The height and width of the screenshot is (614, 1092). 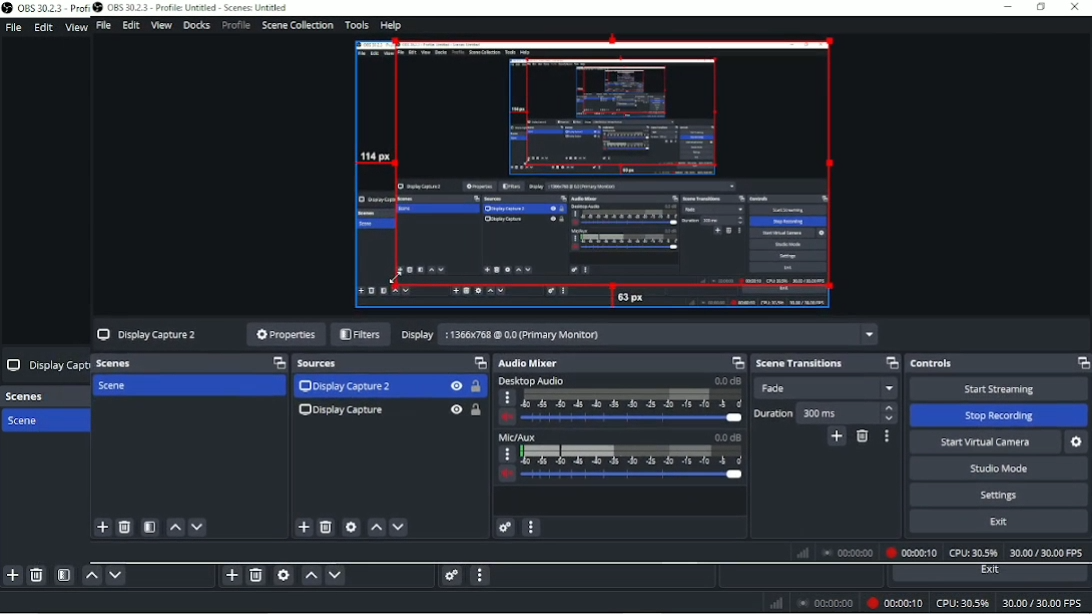 I want to click on Lock, so click(x=478, y=410).